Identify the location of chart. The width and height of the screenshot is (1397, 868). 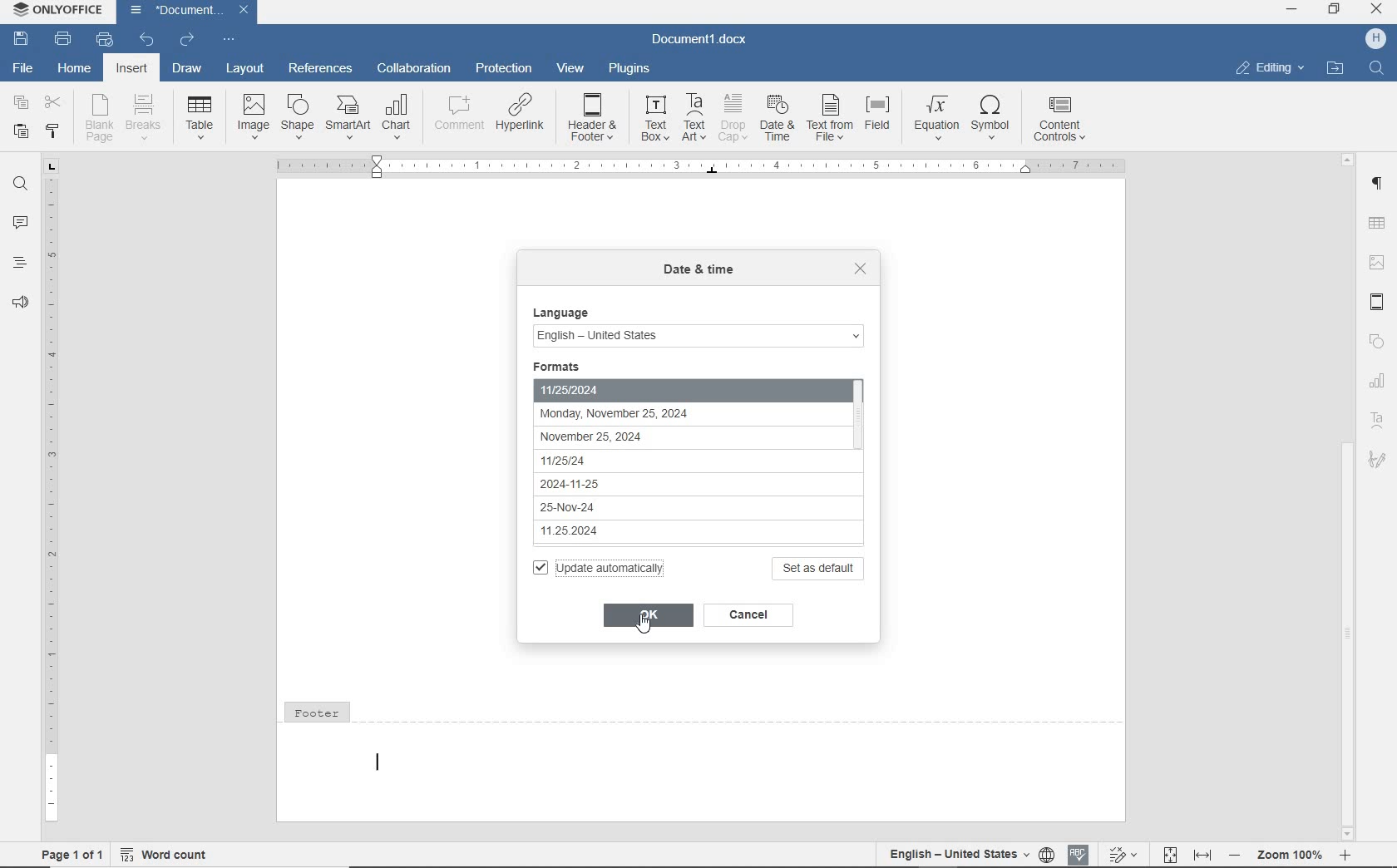
(1382, 387).